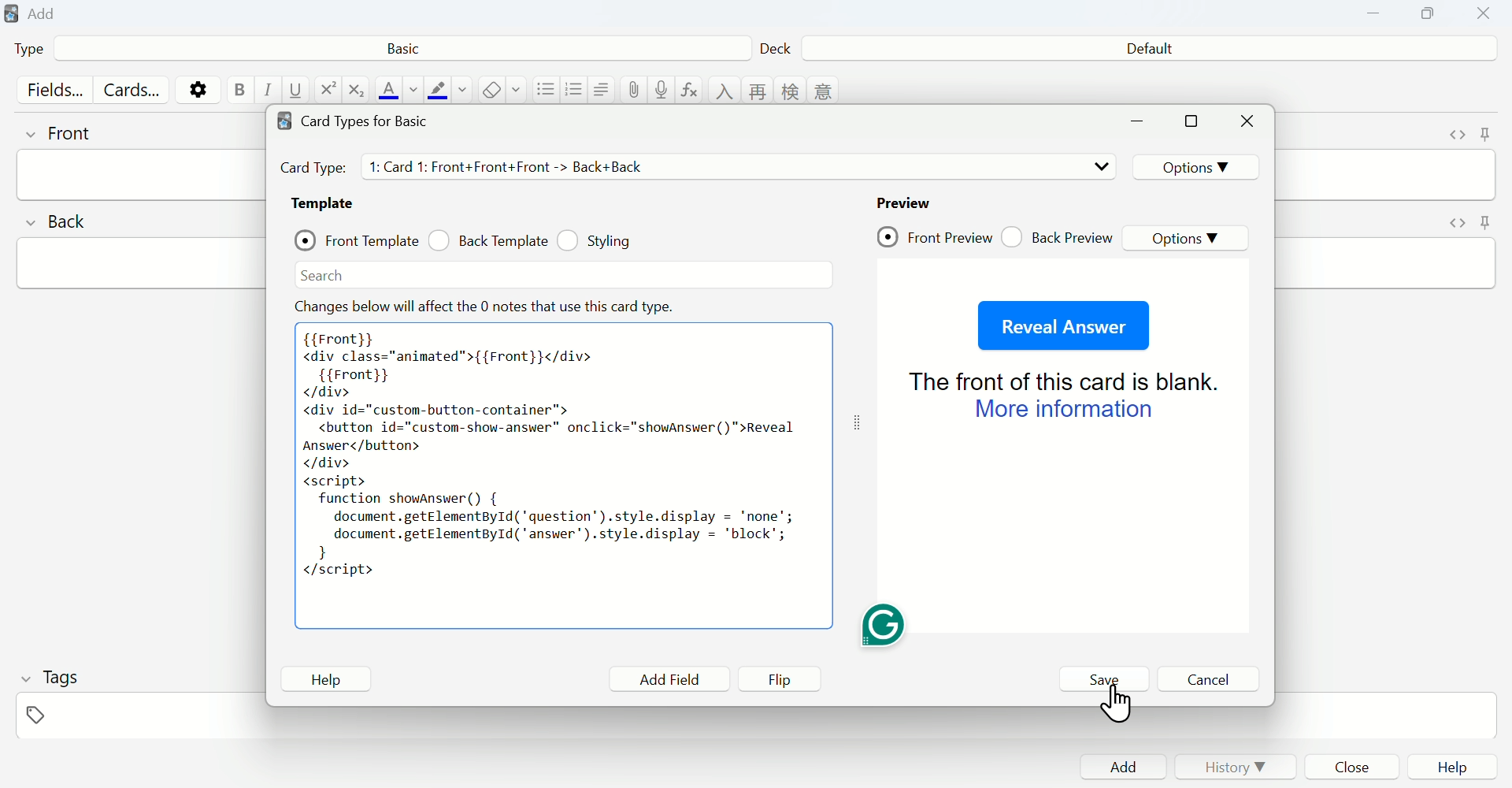 Image resolution: width=1512 pixels, height=788 pixels. Describe the element at coordinates (774, 50) in the screenshot. I see `Deck` at that location.